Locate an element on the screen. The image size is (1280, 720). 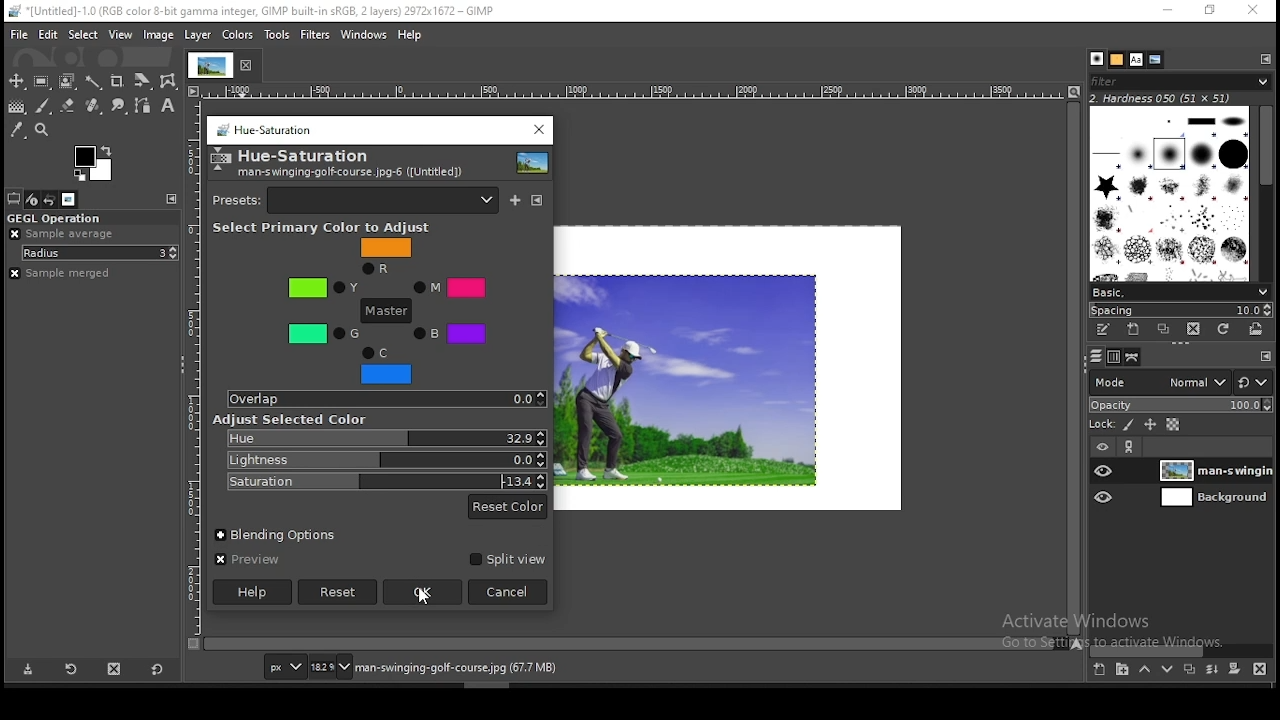
spacing is located at coordinates (1178, 310).